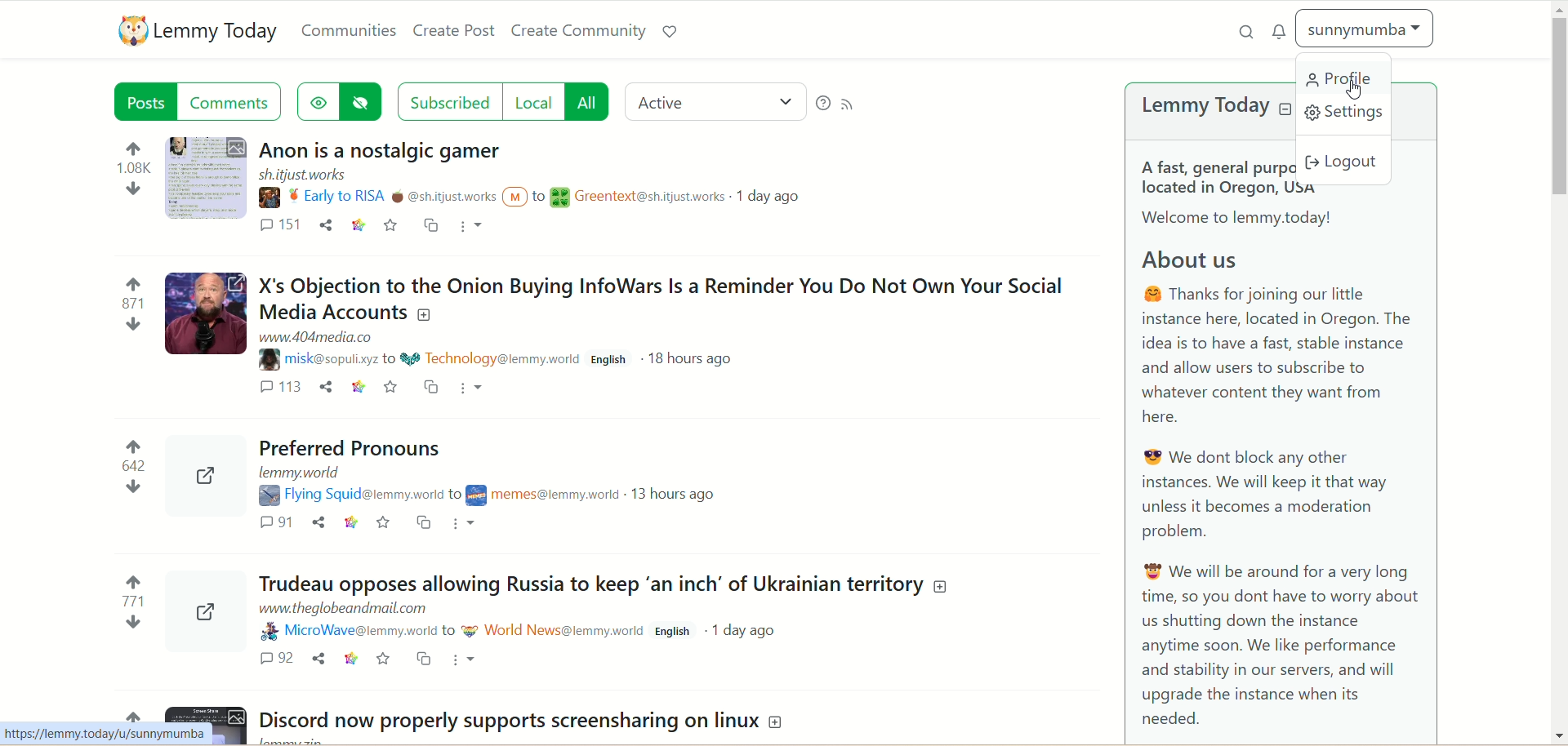 The image size is (1568, 746). Describe the element at coordinates (661, 295) in the screenshot. I see `Post on "X's Objection to the Onion Buying InfoWars Is a Reminder You Do Not Own Your SocialMedia Accounts"` at that location.